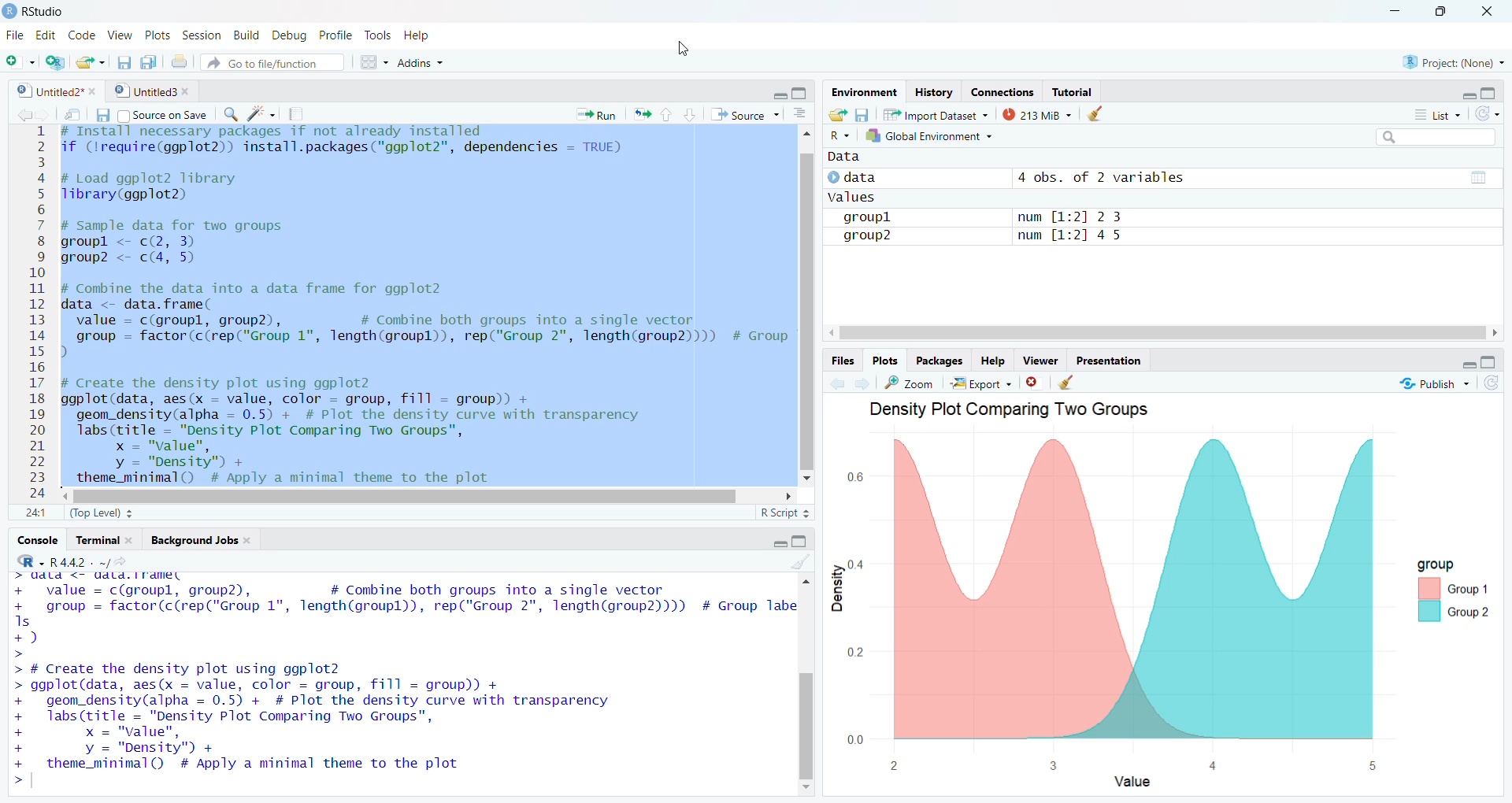  Describe the element at coordinates (810, 324) in the screenshot. I see `slidebar` at that location.